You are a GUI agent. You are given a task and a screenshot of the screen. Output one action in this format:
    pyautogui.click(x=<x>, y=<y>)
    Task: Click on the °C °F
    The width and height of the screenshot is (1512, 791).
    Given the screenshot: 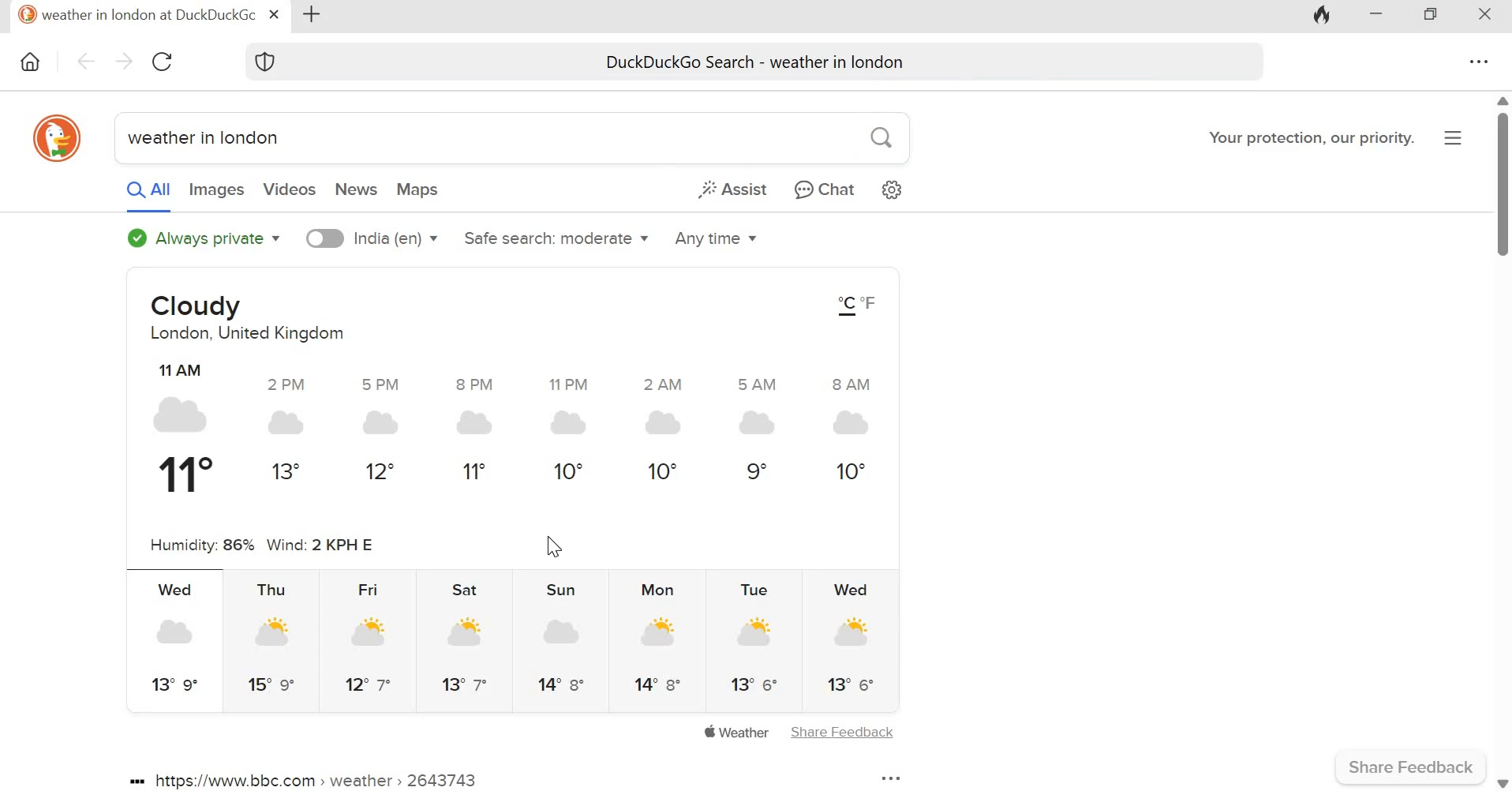 What is the action you would take?
    pyautogui.click(x=858, y=305)
    